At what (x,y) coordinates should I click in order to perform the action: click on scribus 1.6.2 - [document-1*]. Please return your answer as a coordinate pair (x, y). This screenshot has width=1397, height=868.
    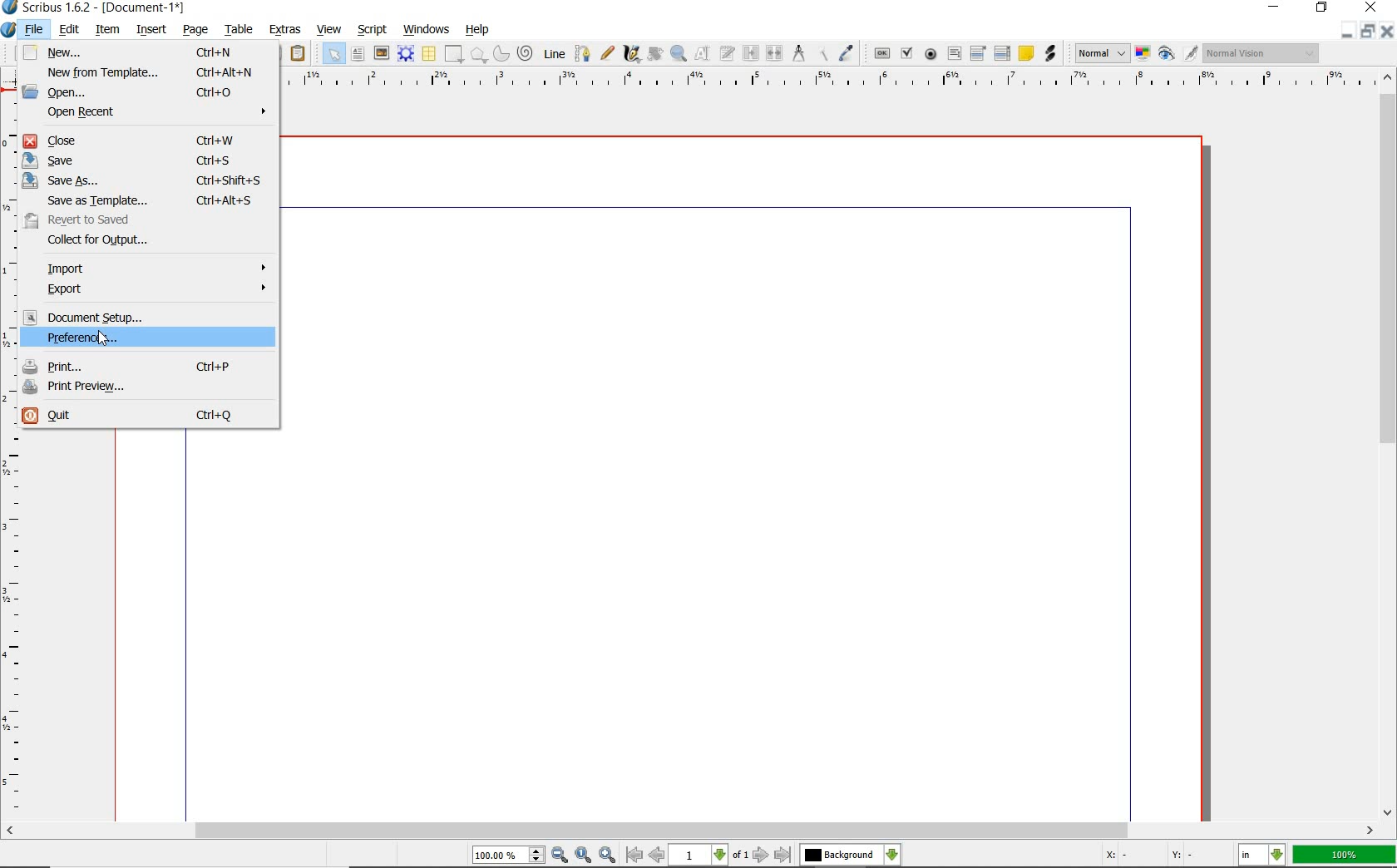
    Looking at the image, I should click on (96, 8).